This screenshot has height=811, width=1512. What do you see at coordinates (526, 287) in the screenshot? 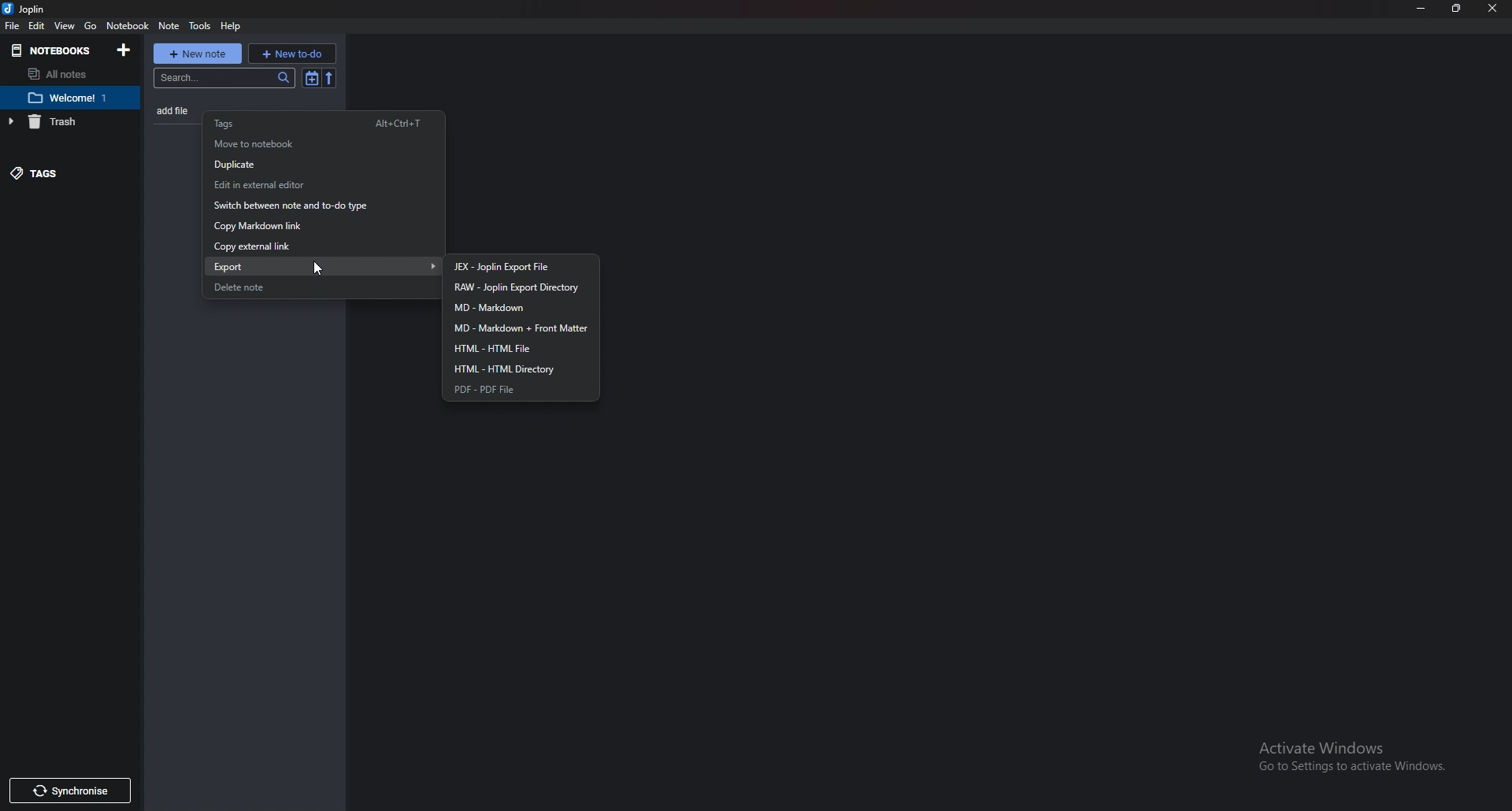
I see `raw` at bounding box center [526, 287].